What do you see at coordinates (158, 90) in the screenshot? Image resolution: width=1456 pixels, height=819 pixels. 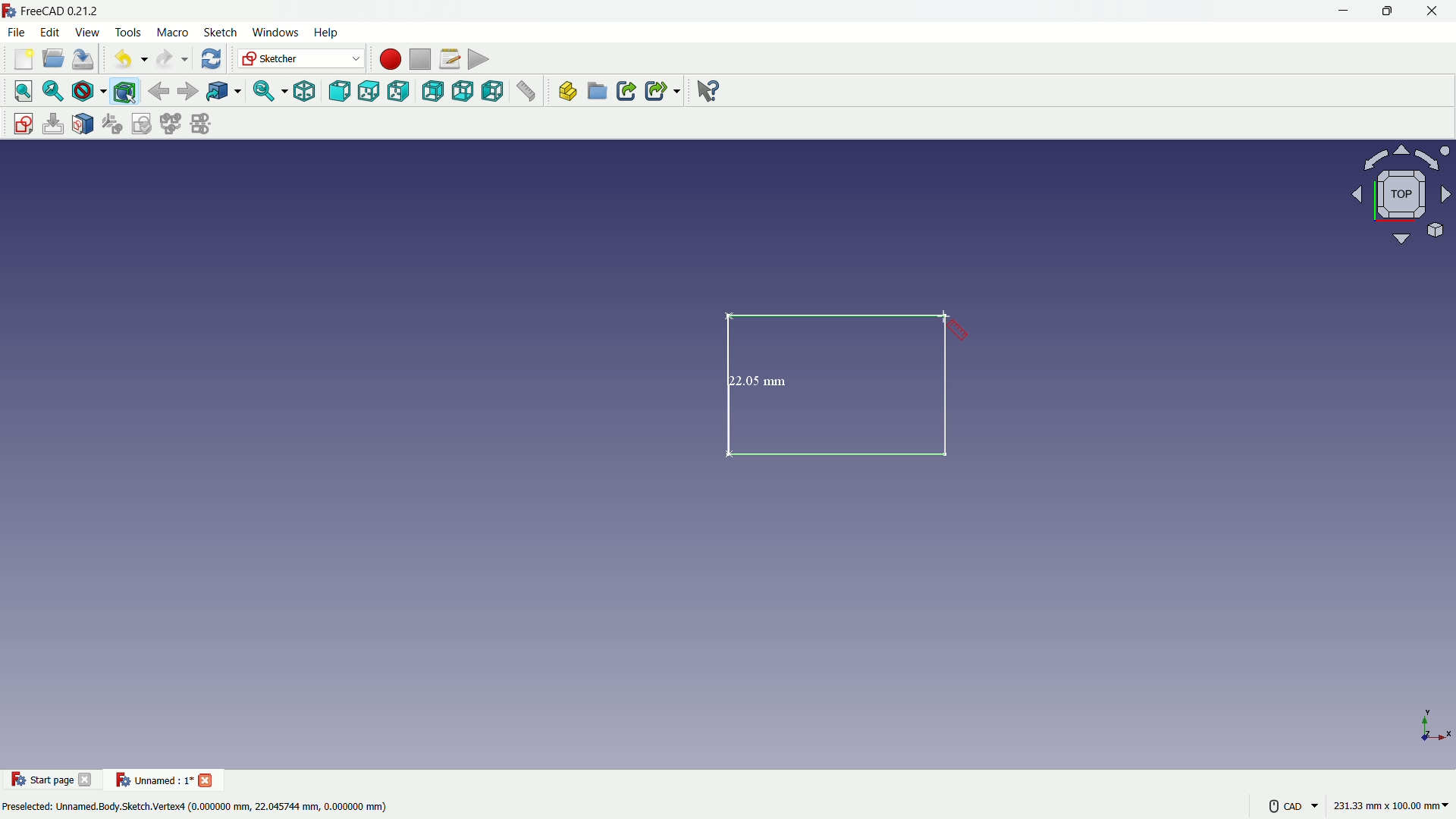 I see `back` at bounding box center [158, 90].